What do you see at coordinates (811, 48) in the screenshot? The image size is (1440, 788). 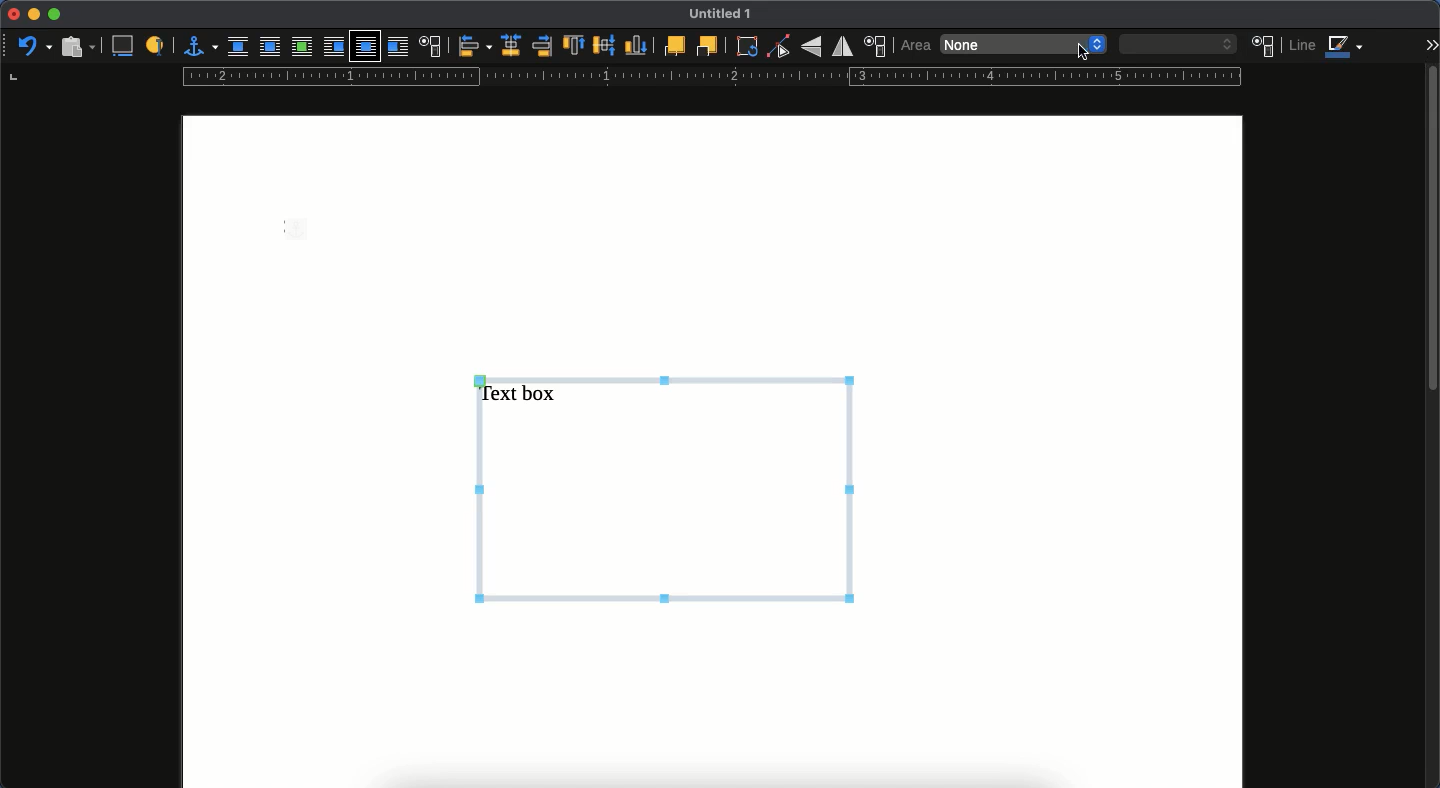 I see `rotate vertically` at bounding box center [811, 48].